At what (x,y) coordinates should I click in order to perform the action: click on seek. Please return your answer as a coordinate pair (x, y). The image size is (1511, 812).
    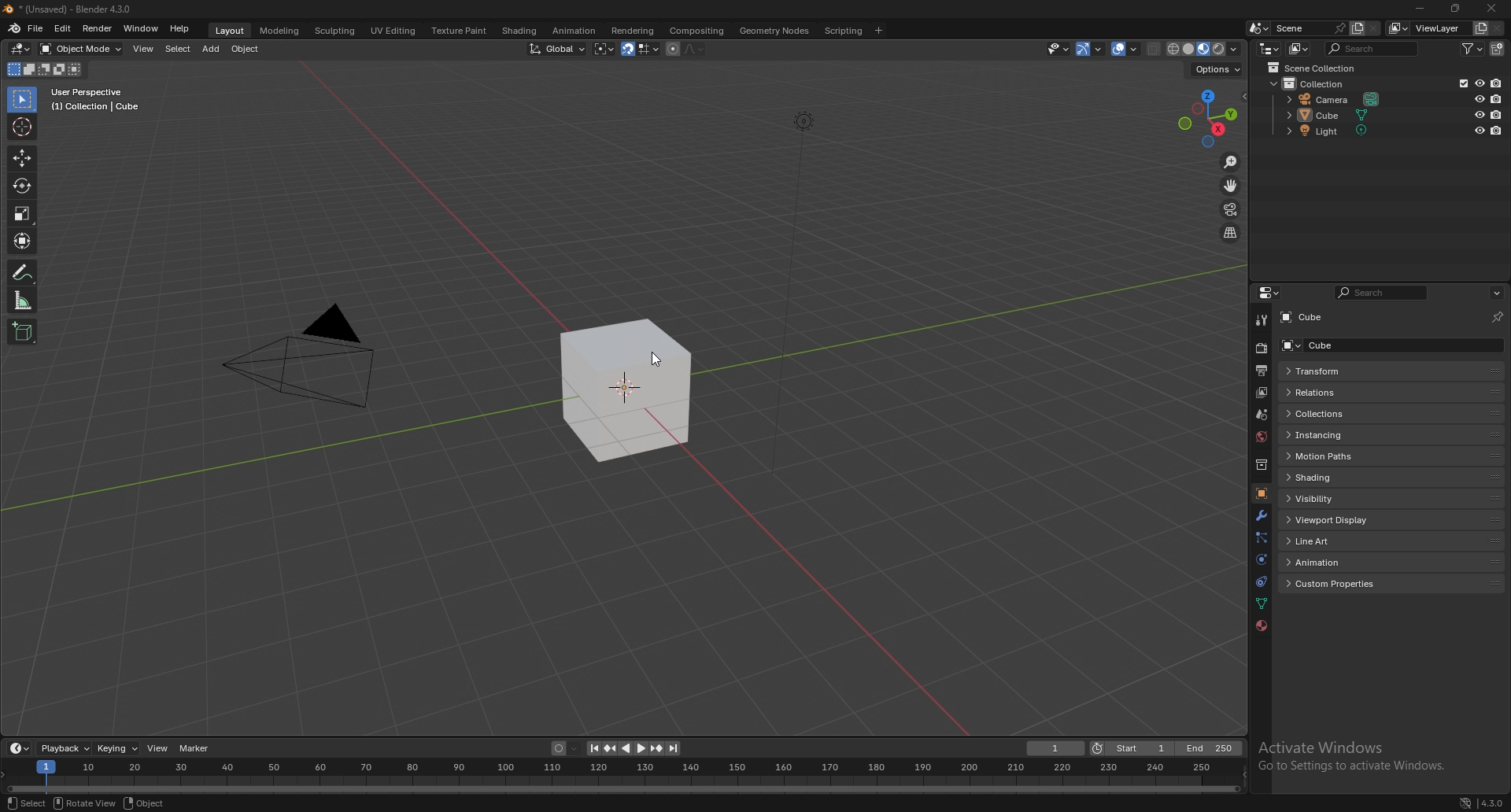
    Looking at the image, I should click on (623, 775).